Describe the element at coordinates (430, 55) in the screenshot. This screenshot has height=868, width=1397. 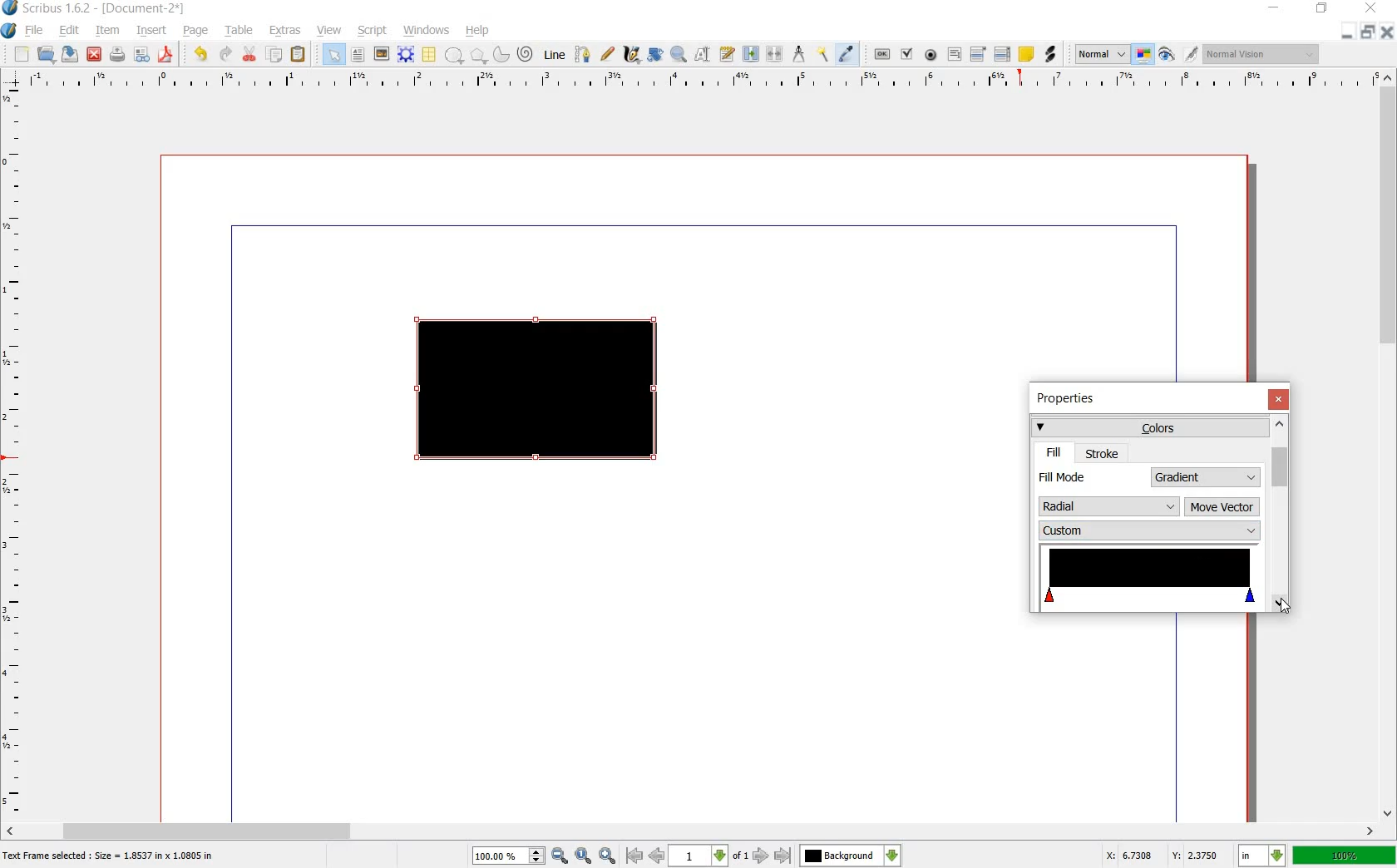
I see `table` at that location.